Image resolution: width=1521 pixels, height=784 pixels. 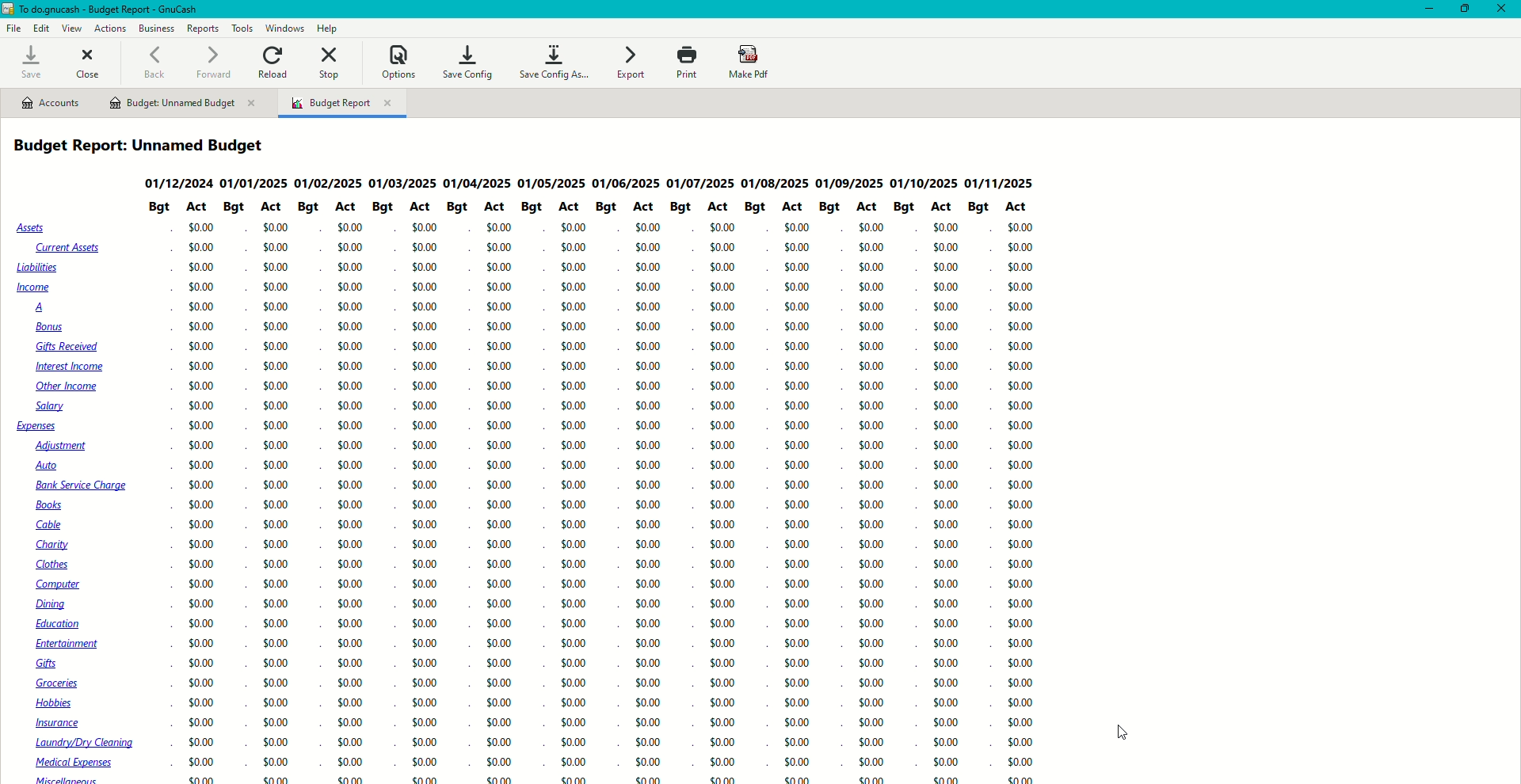 What do you see at coordinates (275, 61) in the screenshot?
I see `Reload` at bounding box center [275, 61].